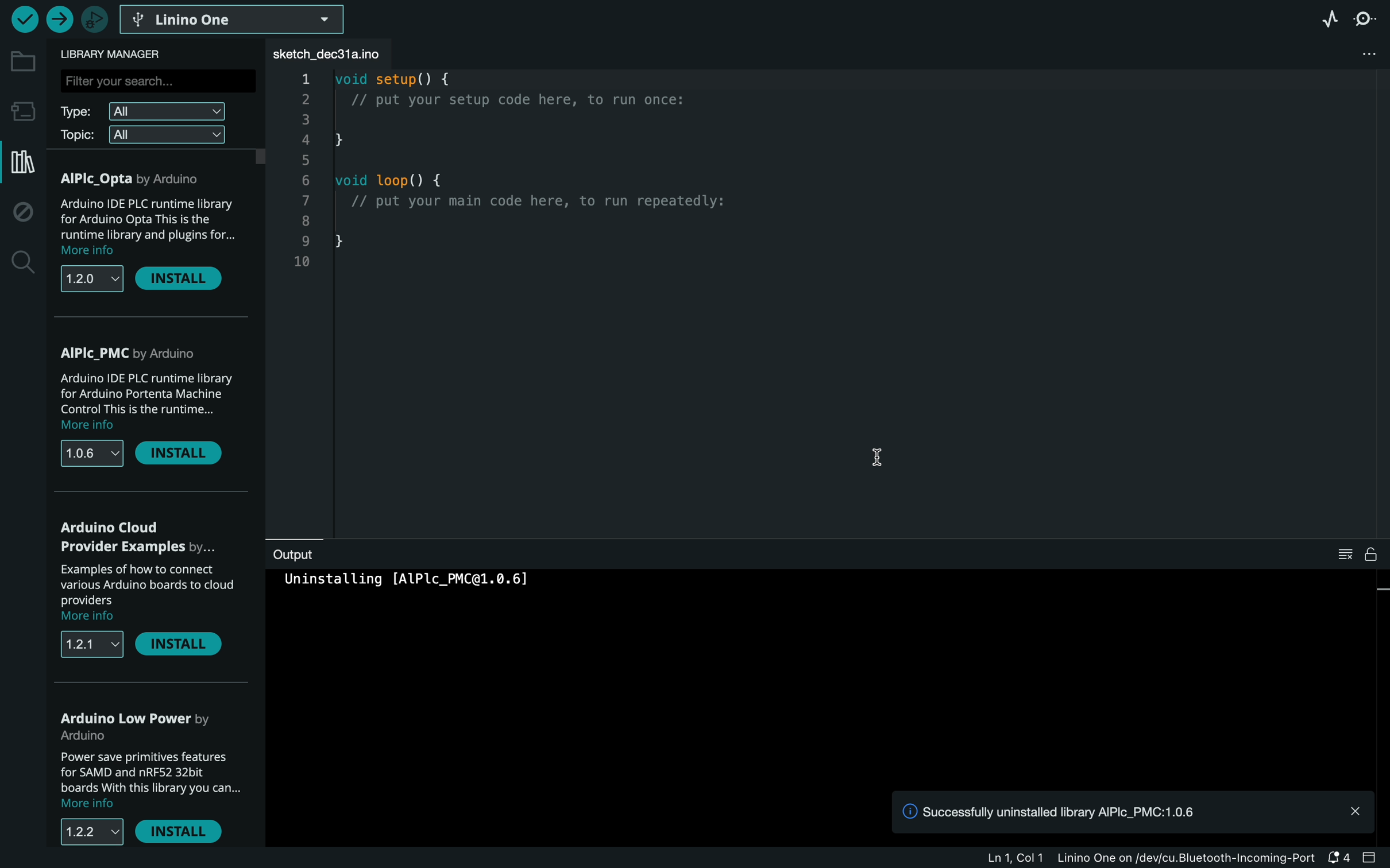  I want to click on versions, so click(91, 453).